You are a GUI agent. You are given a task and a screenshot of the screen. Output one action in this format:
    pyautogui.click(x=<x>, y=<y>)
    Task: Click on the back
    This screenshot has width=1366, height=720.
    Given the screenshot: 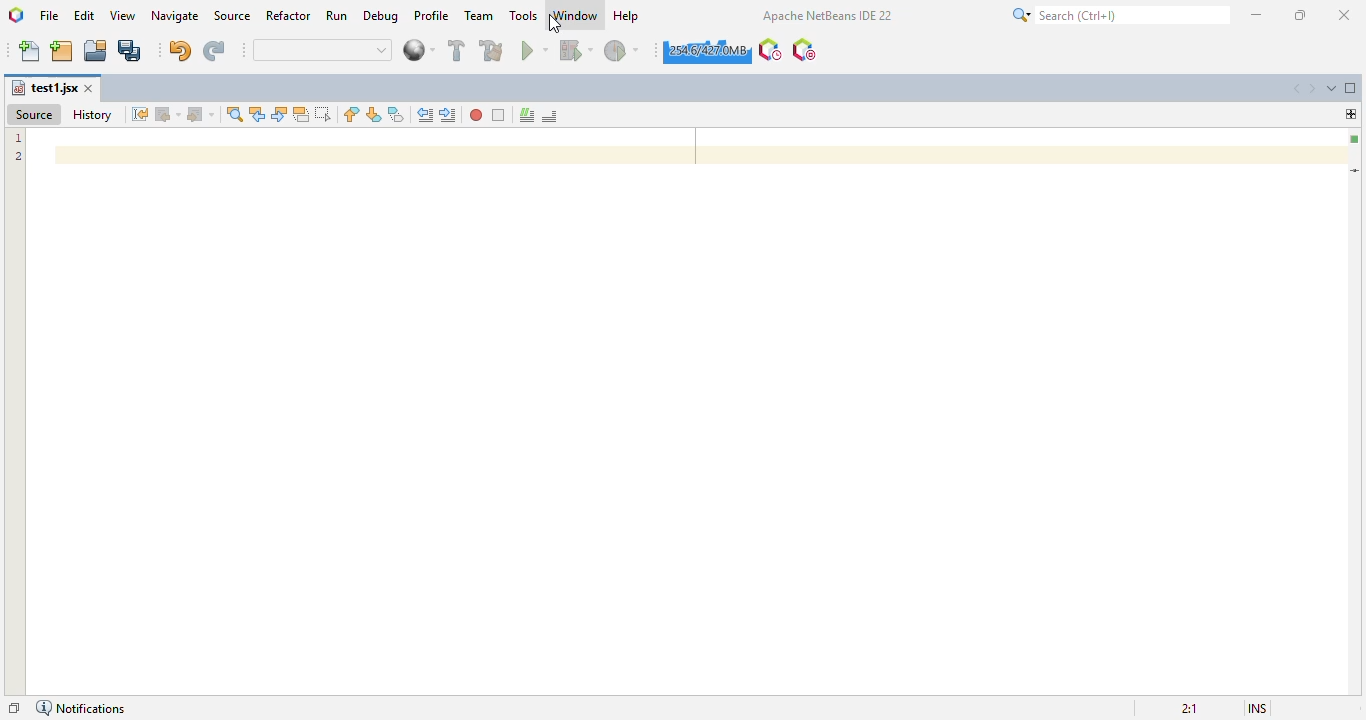 What is the action you would take?
    pyautogui.click(x=169, y=114)
    